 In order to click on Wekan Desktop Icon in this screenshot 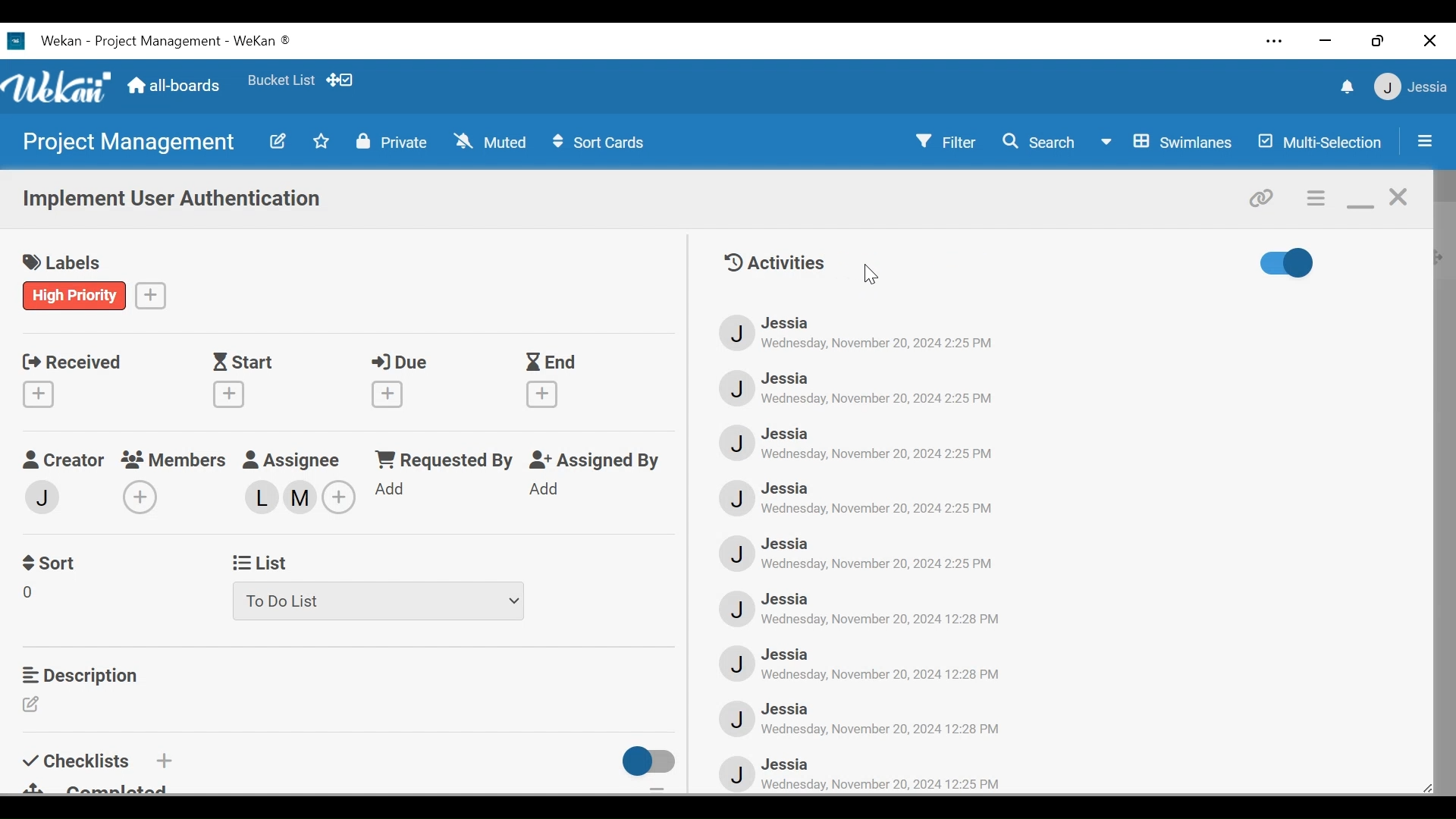, I will do `click(17, 42)`.